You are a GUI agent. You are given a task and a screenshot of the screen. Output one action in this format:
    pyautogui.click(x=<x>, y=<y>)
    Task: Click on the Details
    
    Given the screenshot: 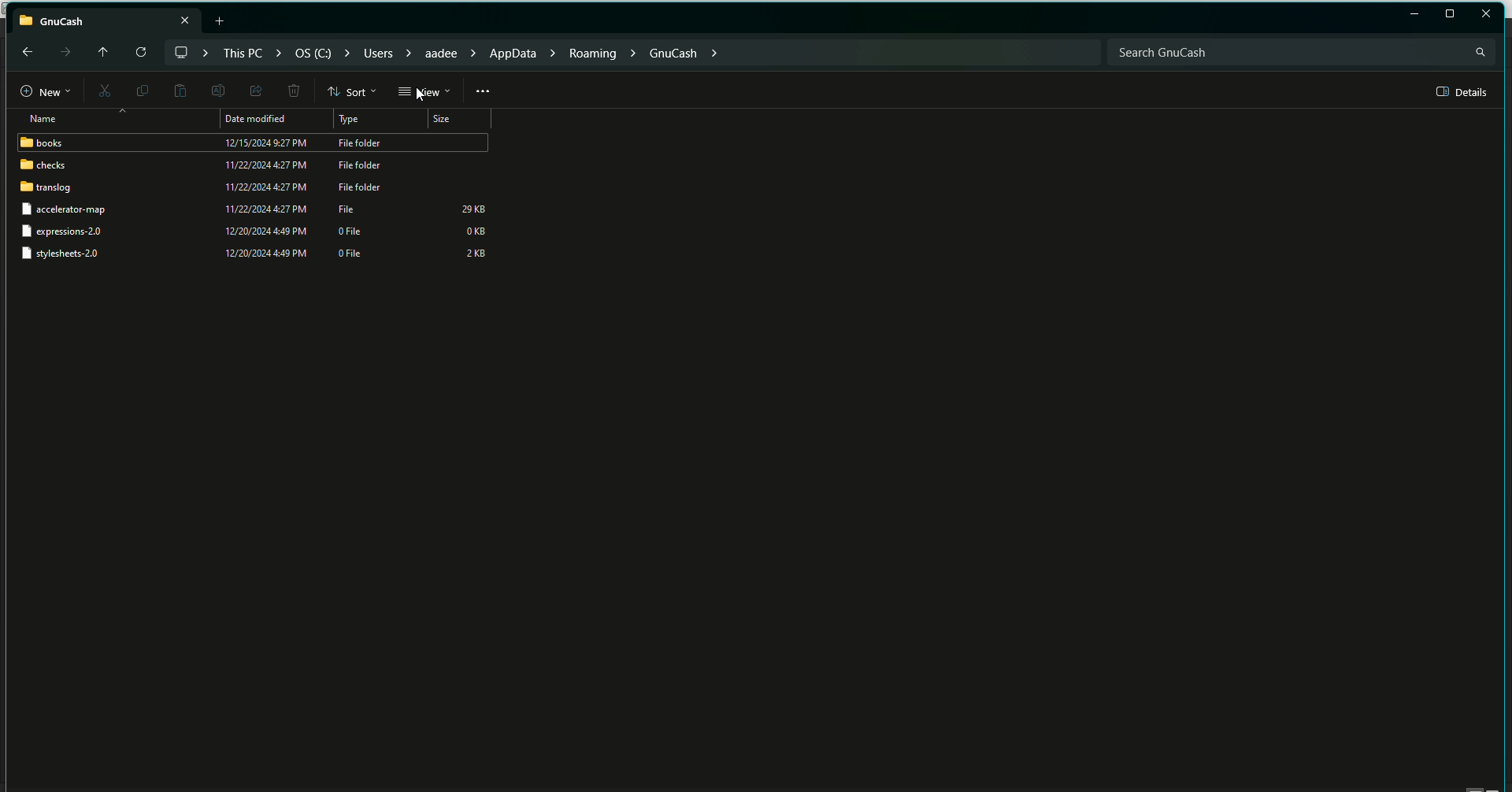 What is the action you would take?
    pyautogui.click(x=1463, y=92)
    